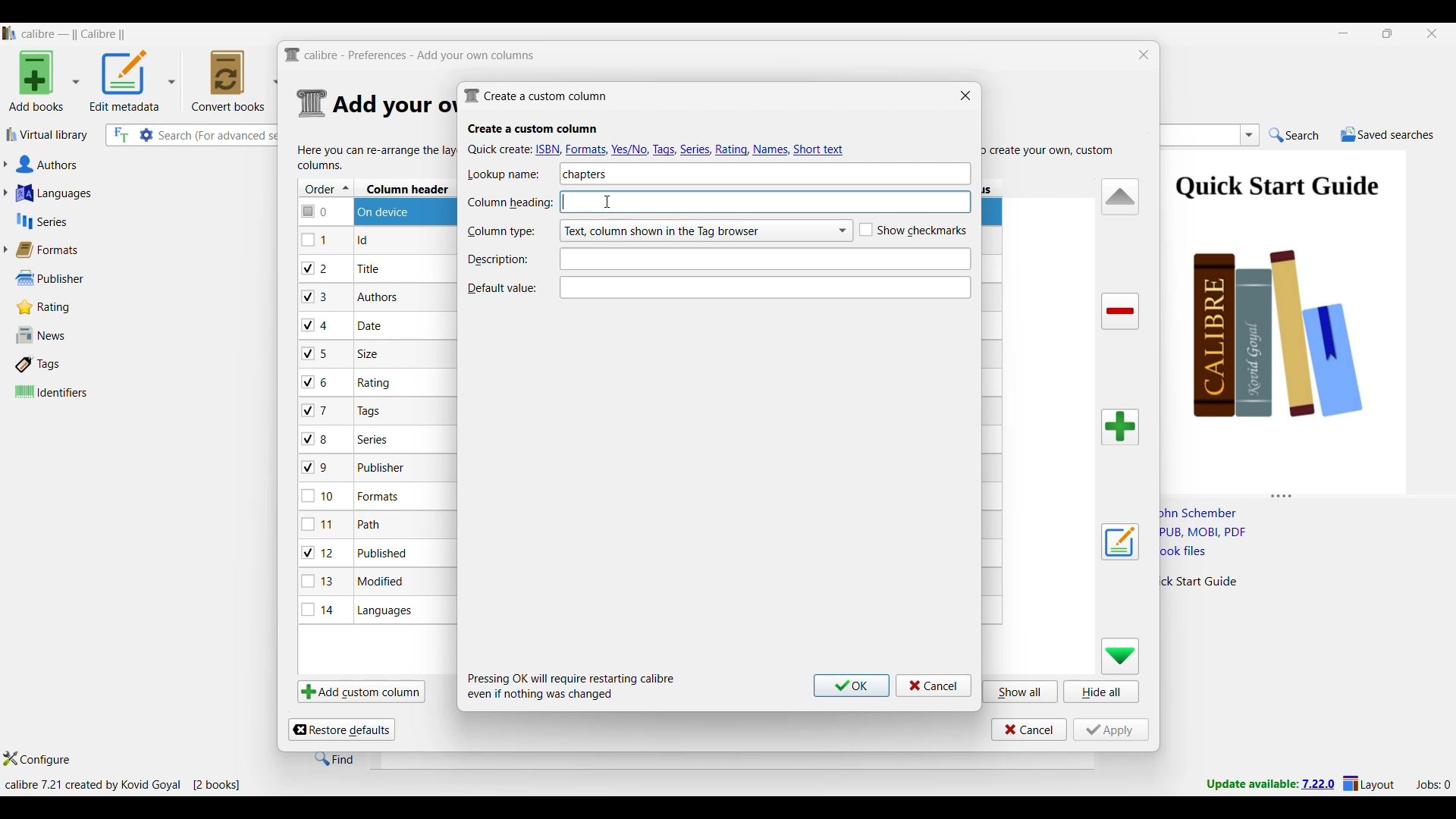 The width and height of the screenshot is (1456, 819). Describe the element at coordinates (361, 691) in the screenshot. I see `Add custom column` at that location.